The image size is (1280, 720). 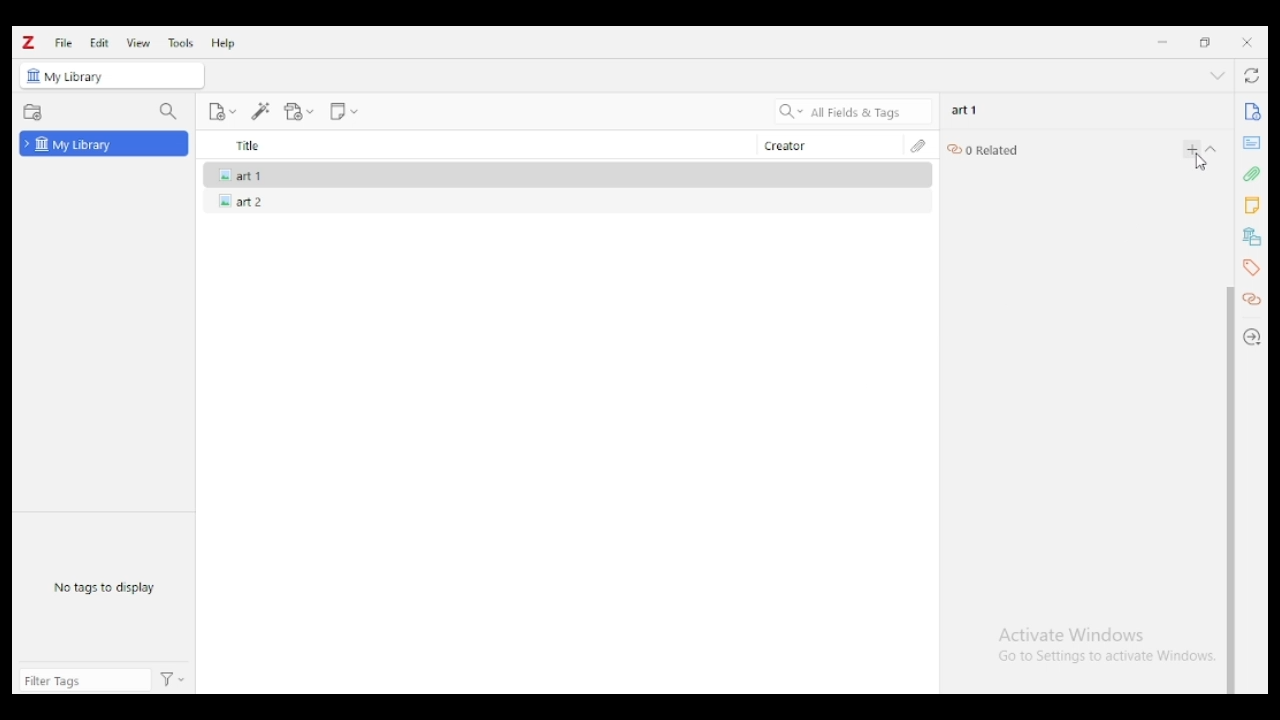 What do you see at coordinates (1254, 300) in the screenshot?
I see `related` at bounding box center [1254, 300].